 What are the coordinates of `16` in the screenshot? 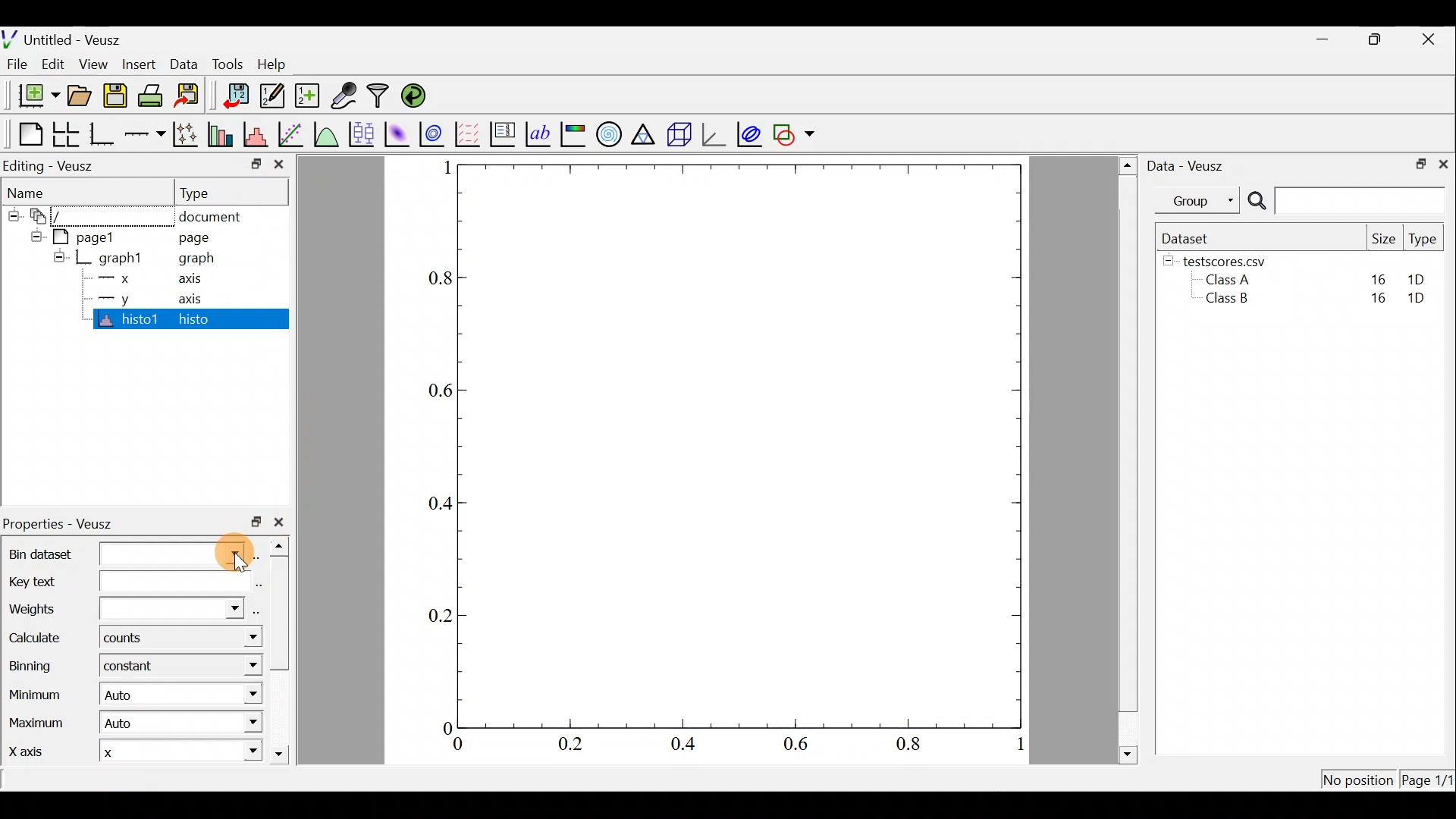 It's located at (1378, 278).